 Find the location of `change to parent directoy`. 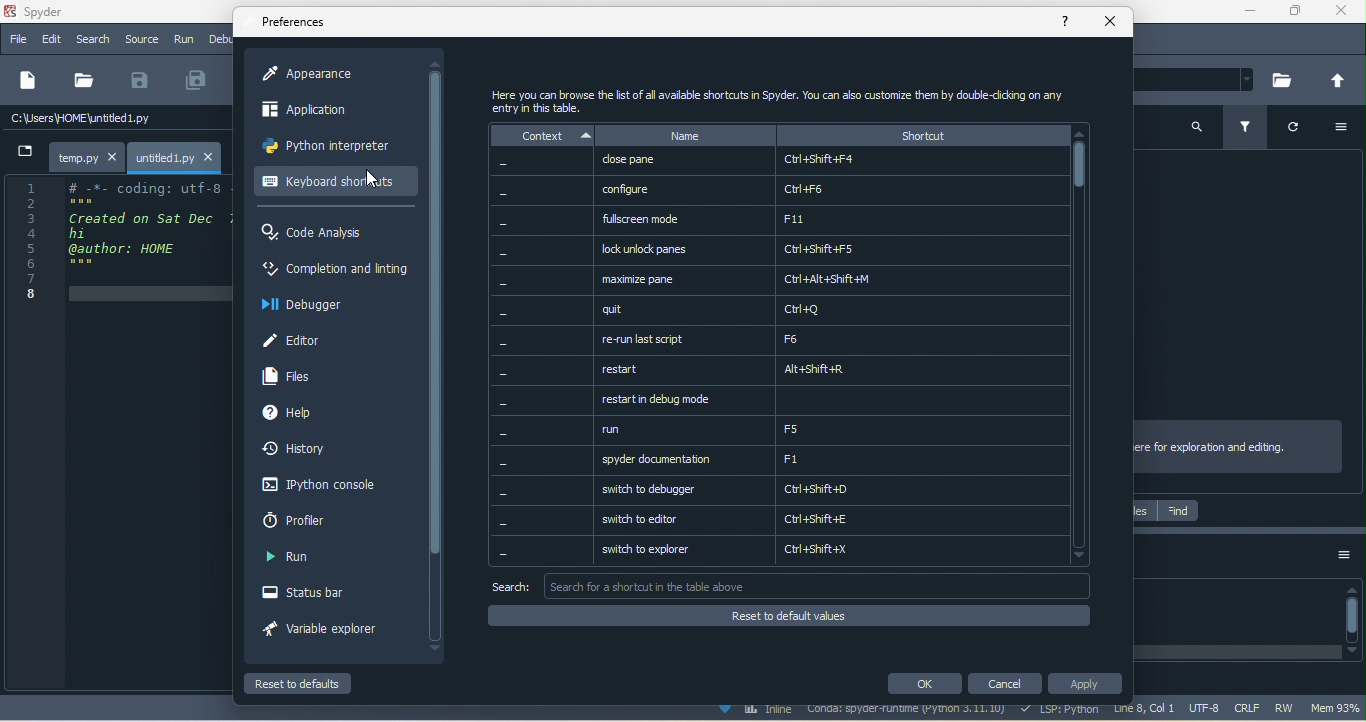

change to parent directoy is located at coordinates (1336, 80).